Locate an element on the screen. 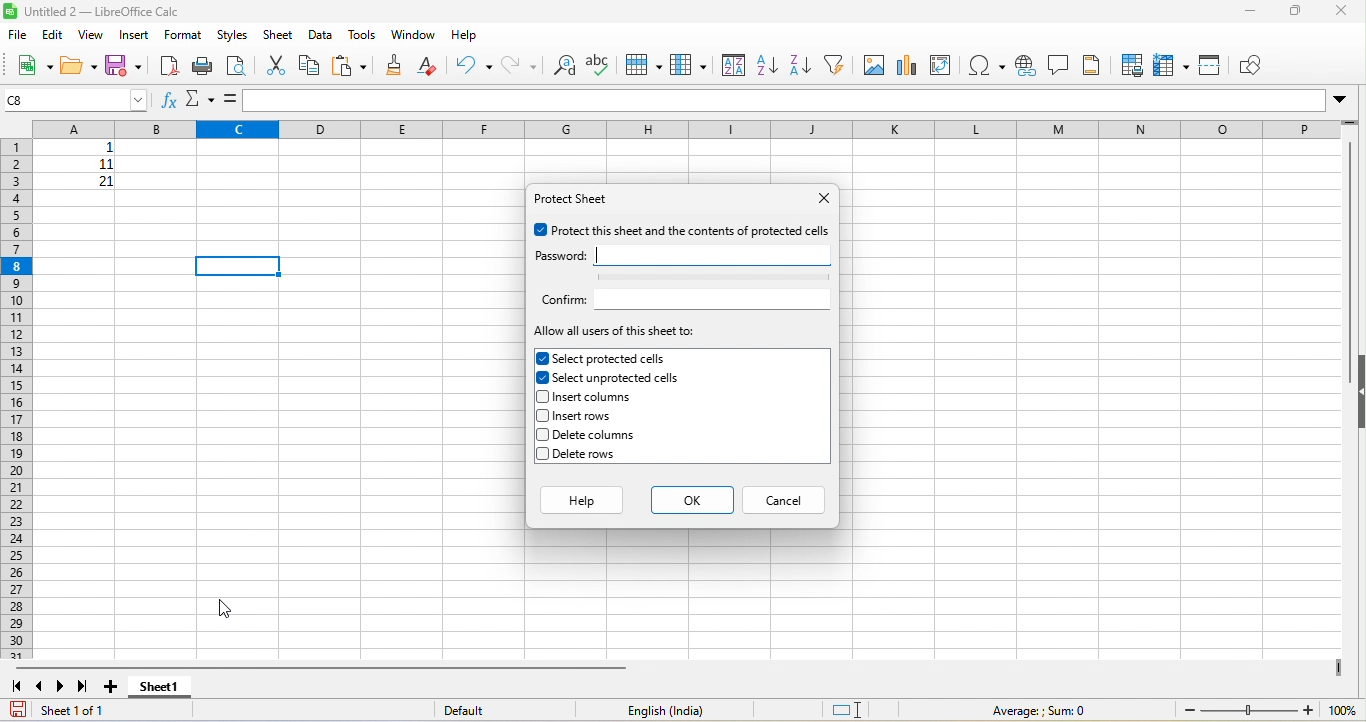  ok is located at coordinates (692, 500).